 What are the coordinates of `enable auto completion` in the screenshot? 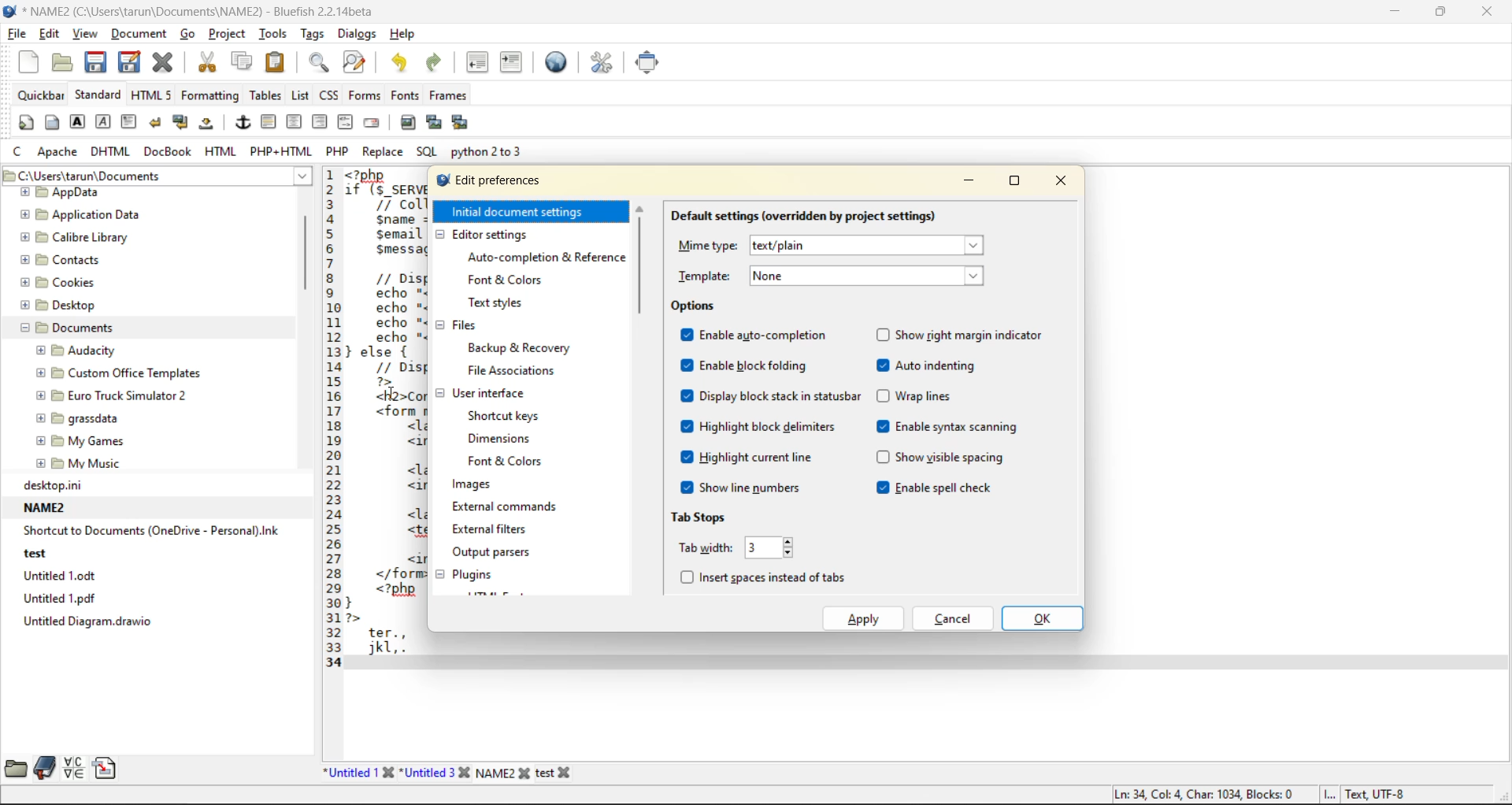 It's located at (756, 336).